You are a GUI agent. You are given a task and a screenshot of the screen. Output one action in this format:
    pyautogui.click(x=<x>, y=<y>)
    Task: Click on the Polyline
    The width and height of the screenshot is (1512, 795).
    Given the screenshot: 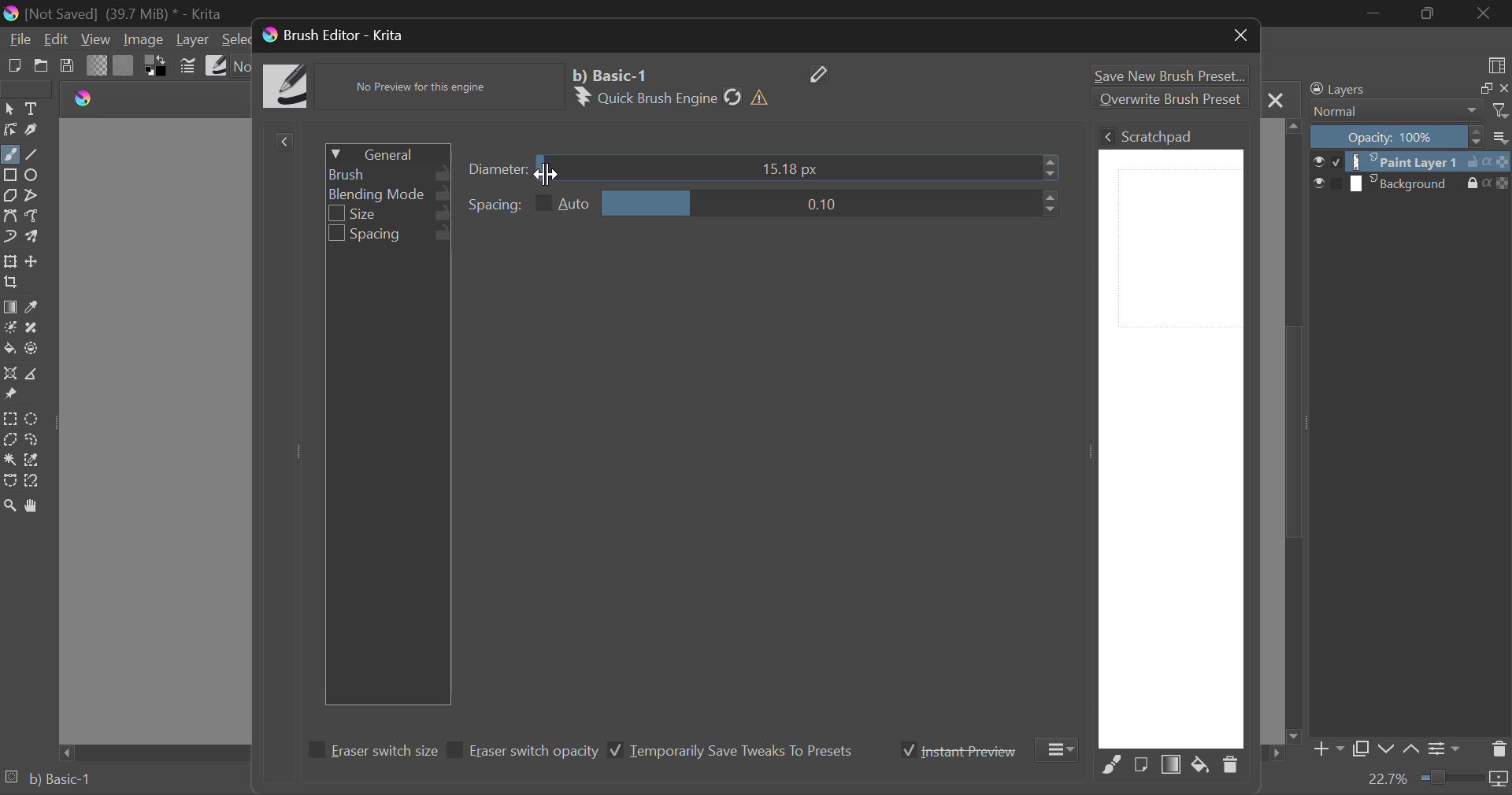 What is the action you would take?
    pyautogui.click(x=35, y=195)
    